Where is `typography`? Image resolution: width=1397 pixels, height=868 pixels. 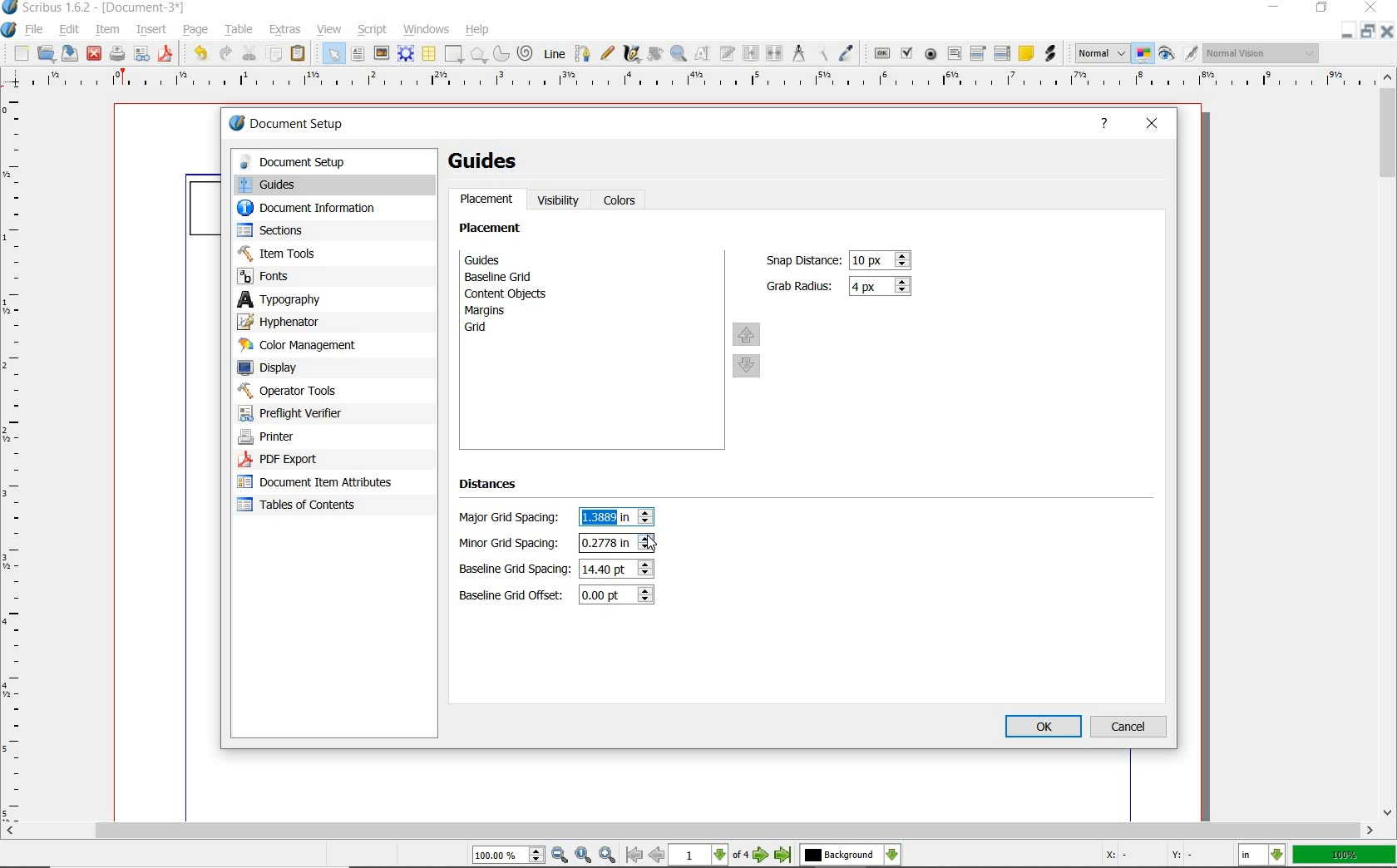 typography is located at coordinates (334, 299).